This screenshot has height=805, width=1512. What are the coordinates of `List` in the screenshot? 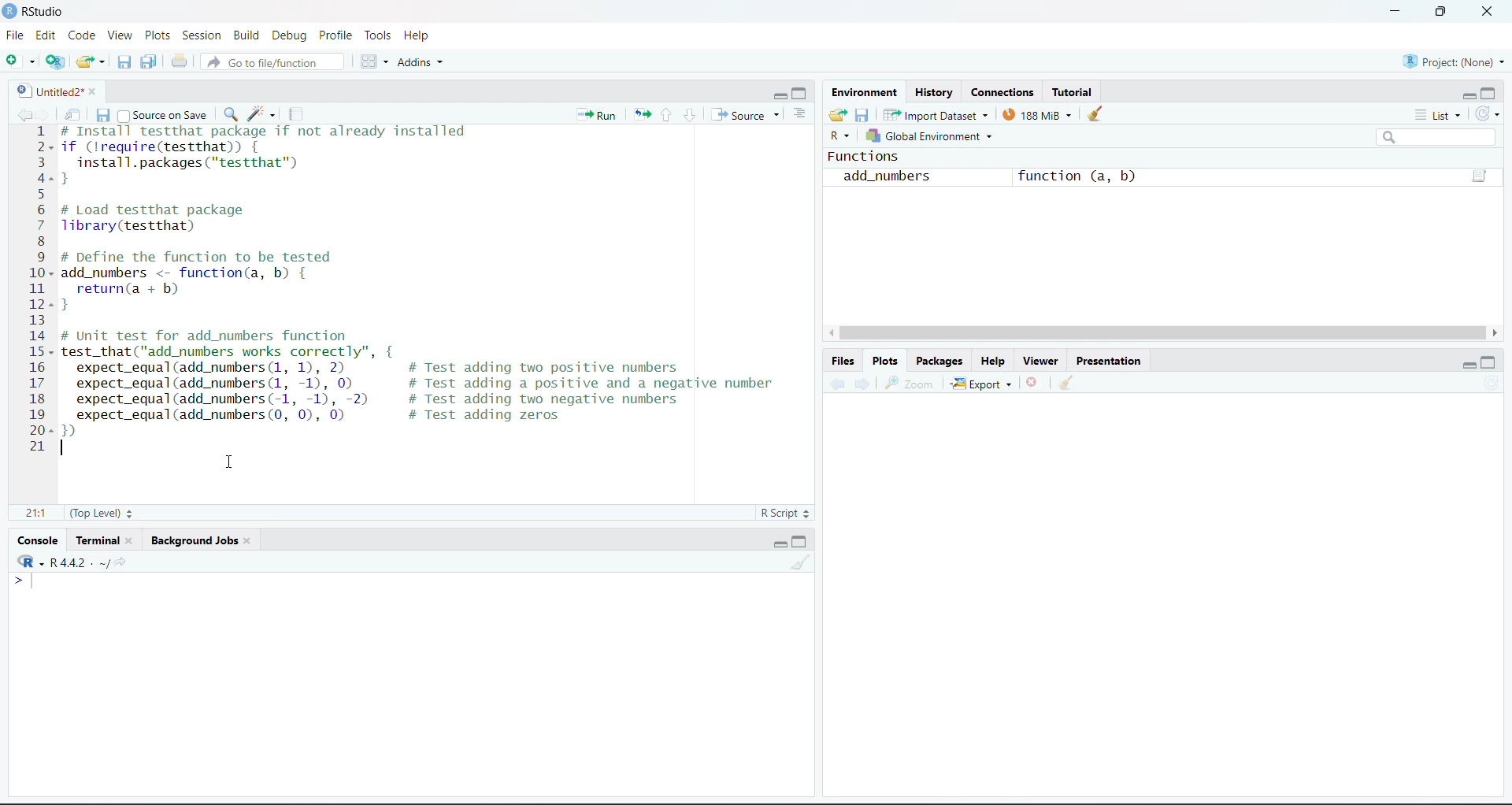 It's located at (1438, 115).